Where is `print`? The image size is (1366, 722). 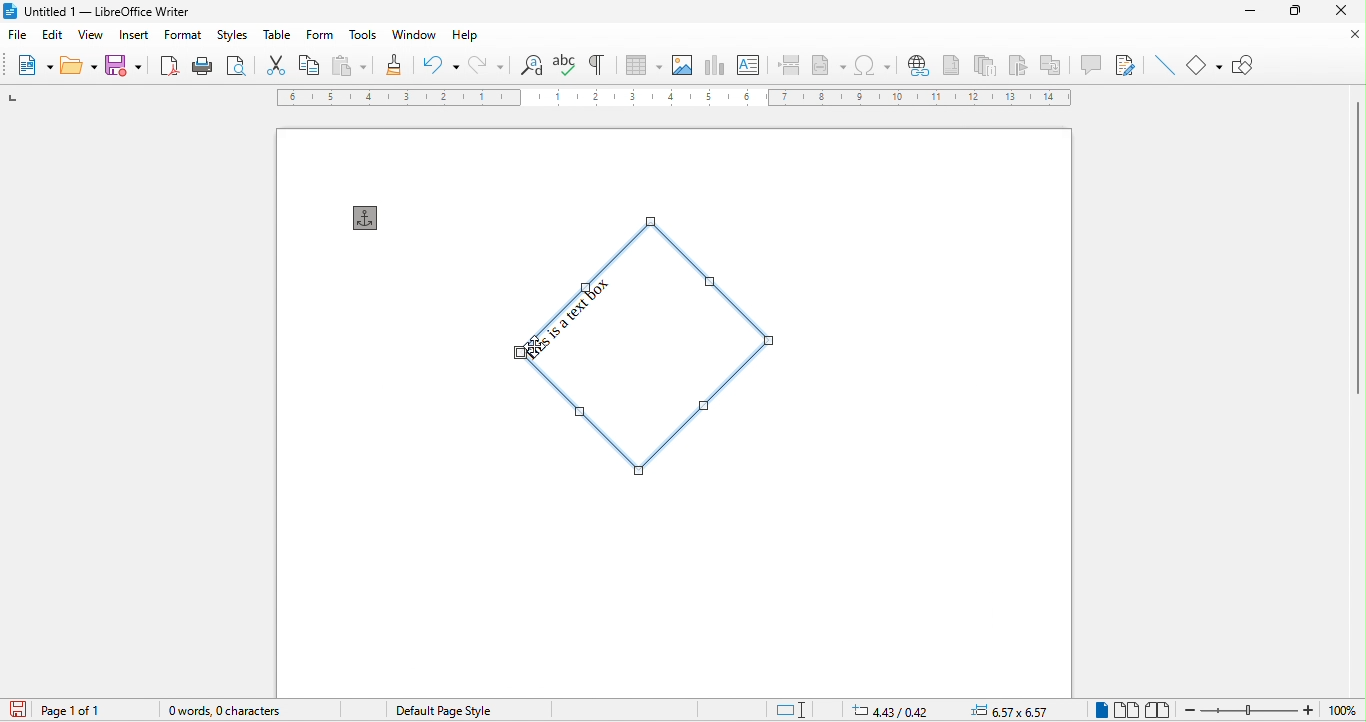
print is located at coordinates (200, 65).